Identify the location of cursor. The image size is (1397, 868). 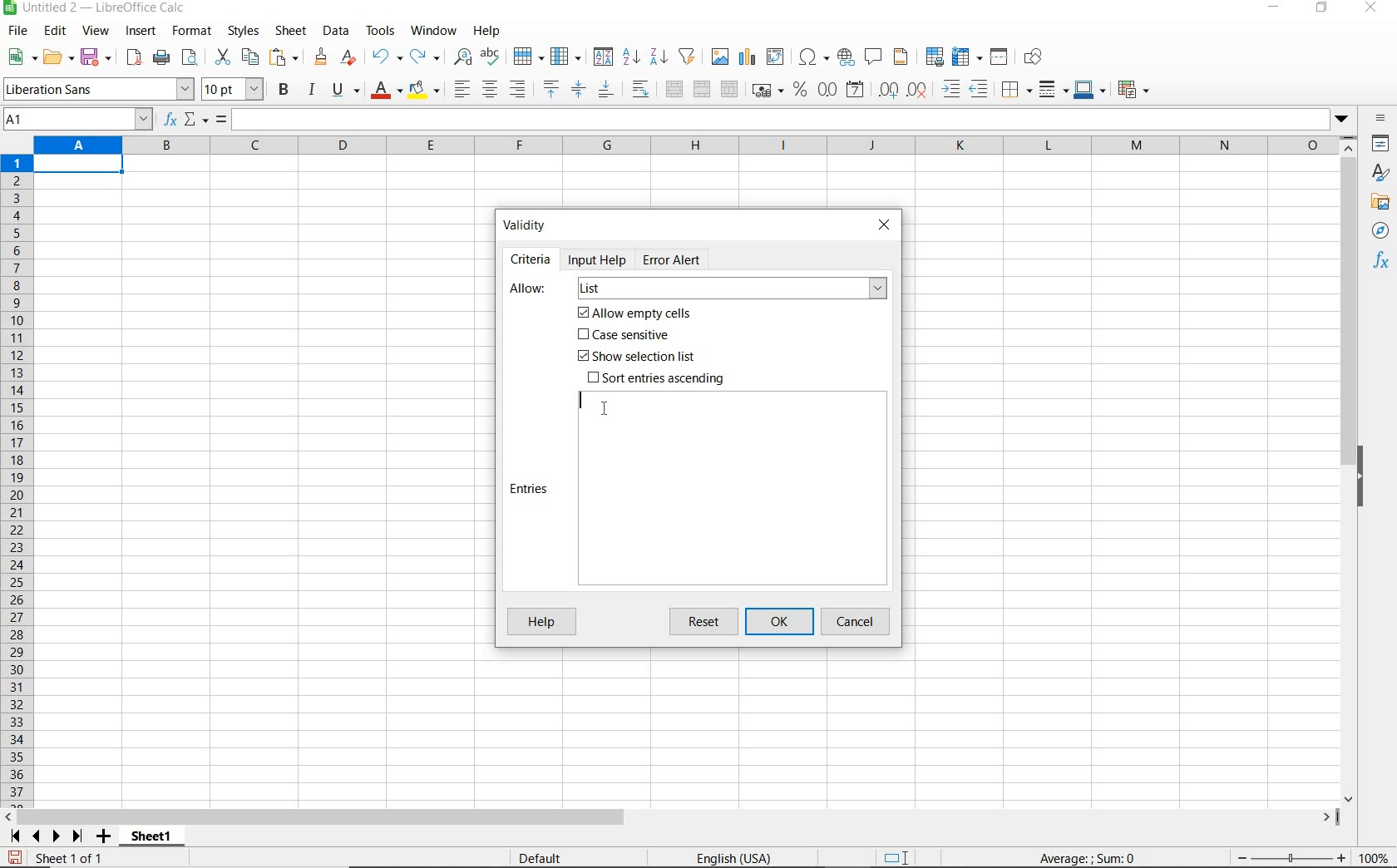
(606, 408).